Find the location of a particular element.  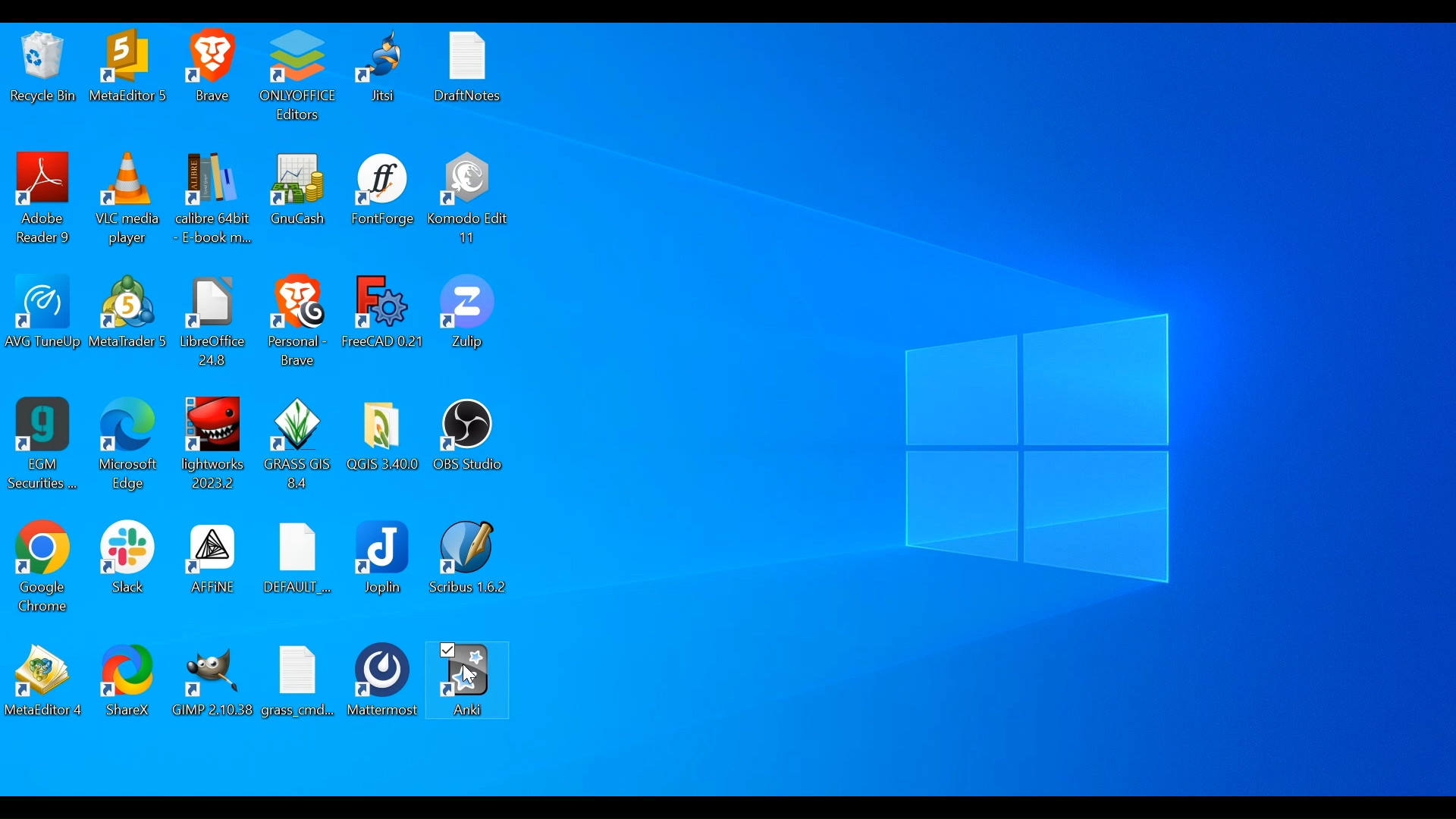

OBS Studio Desktop icon is located at coordinates (471, 437).